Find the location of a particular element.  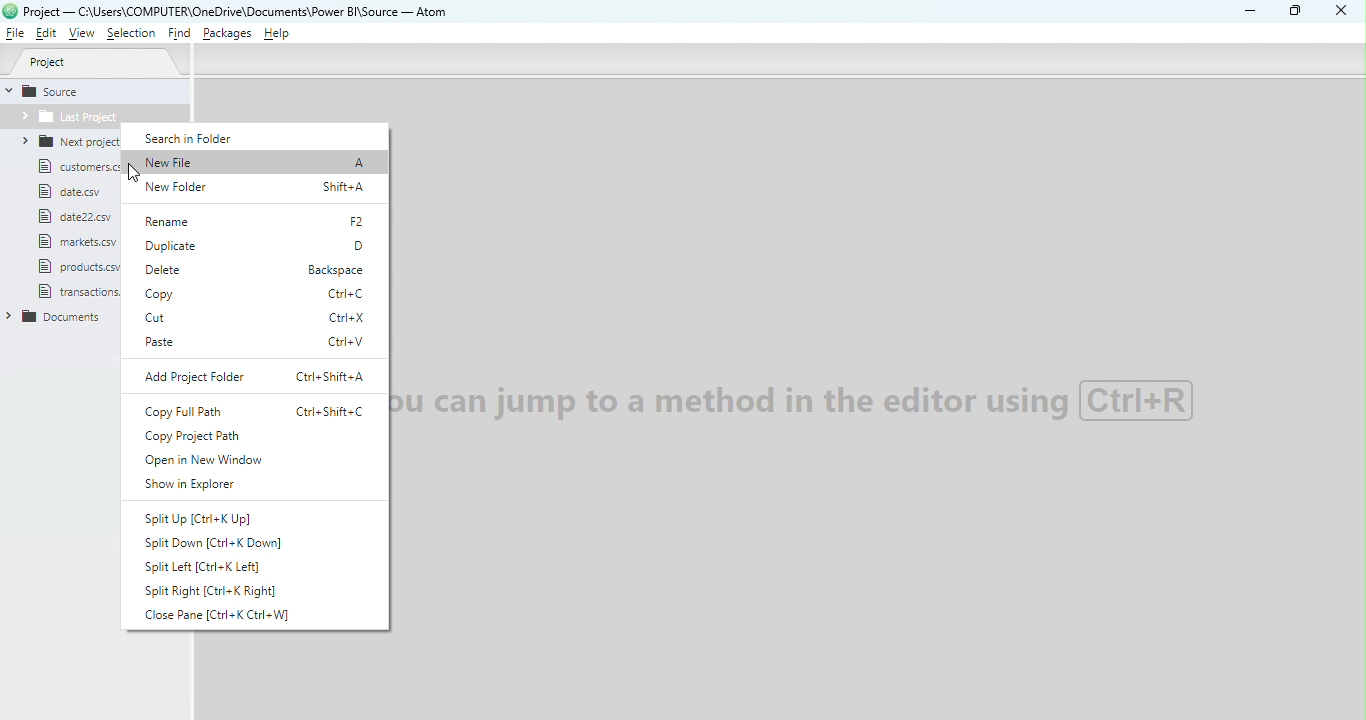

New folder is located at coordinates (265, 190).